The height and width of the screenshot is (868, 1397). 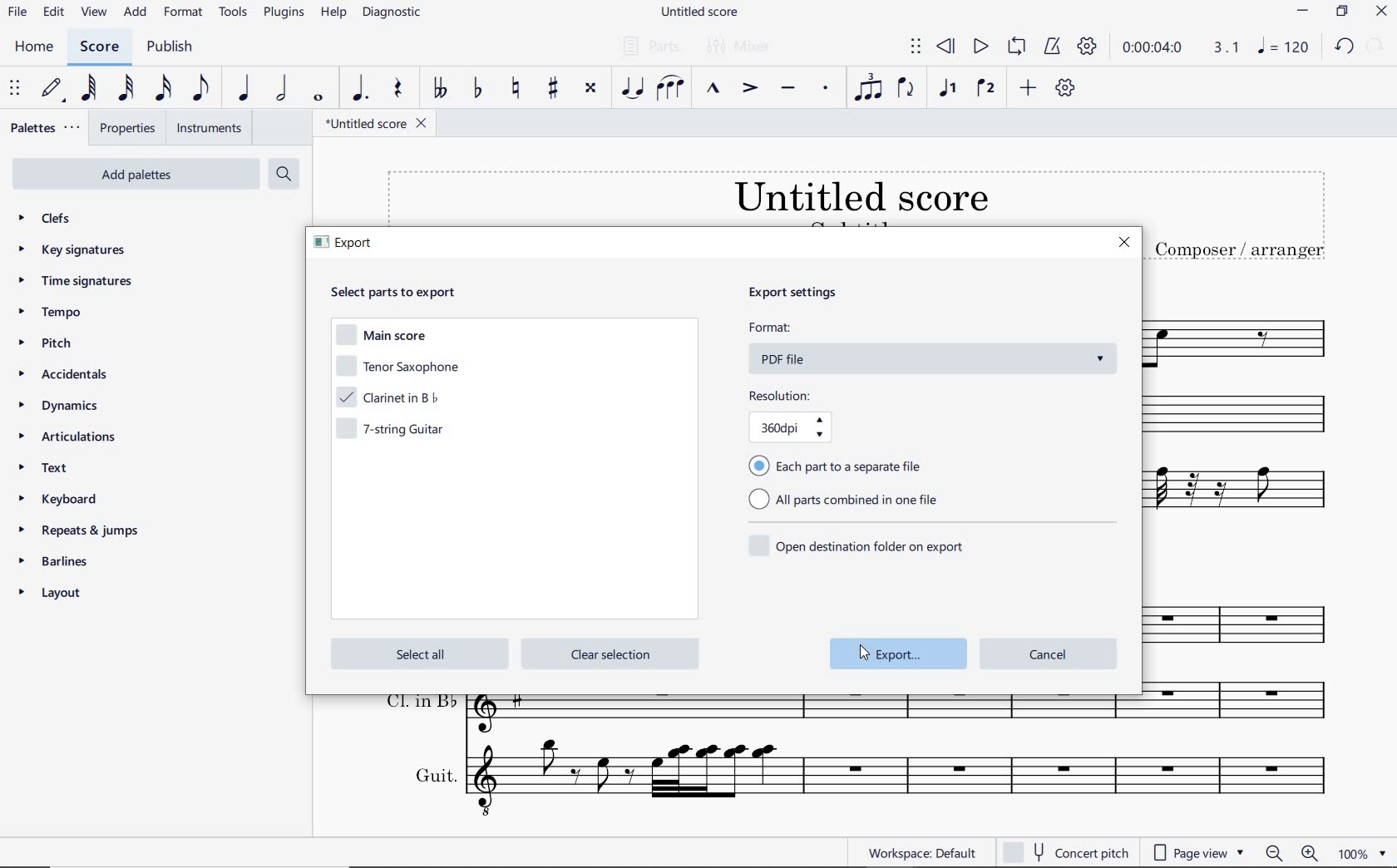 What do you see at coordinates (869, 87) in the screenshot?
I see `TUPLET` at bounding box center [869, 87].